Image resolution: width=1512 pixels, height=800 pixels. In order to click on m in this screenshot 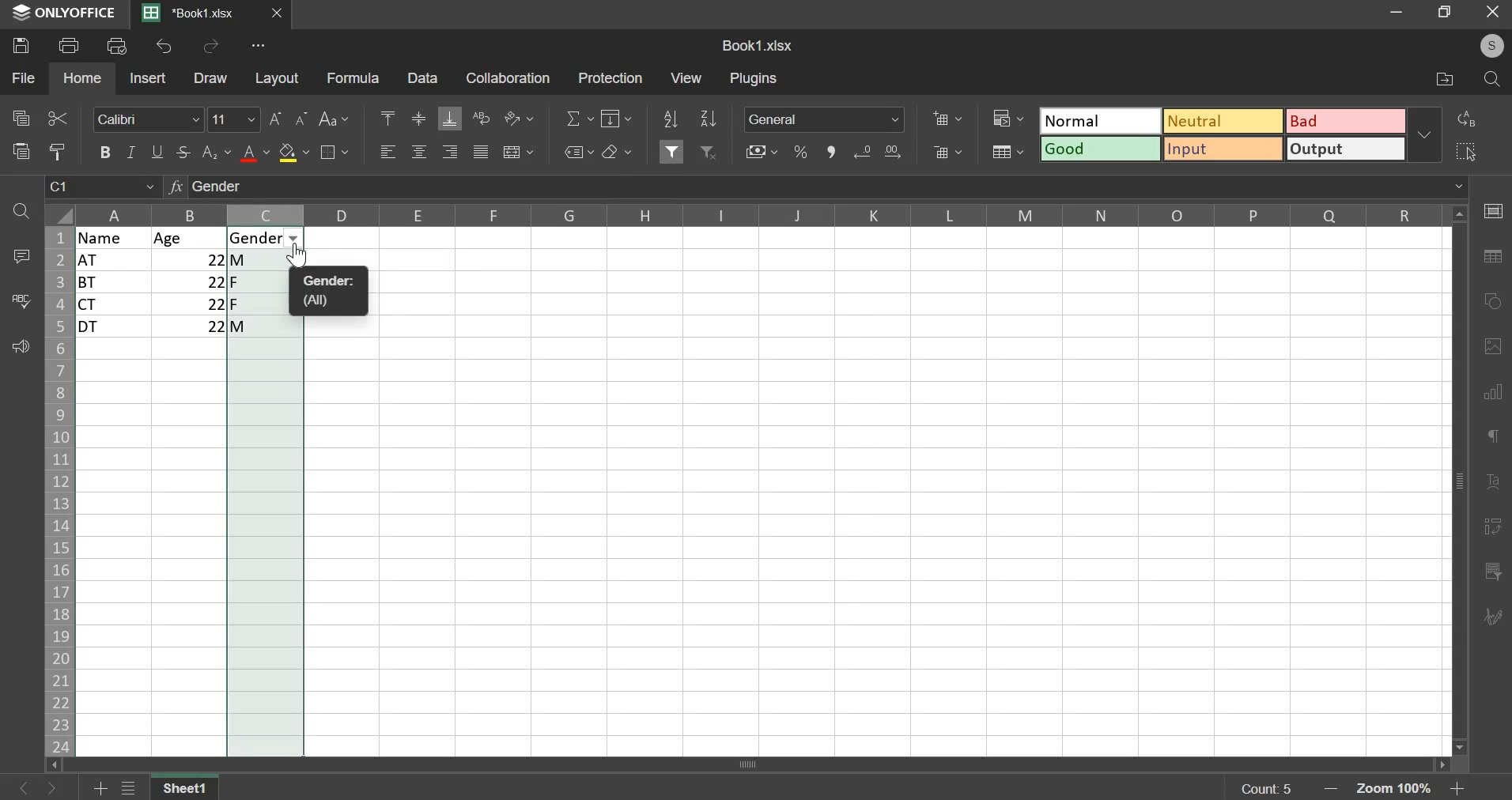, I will do `click(266, 329)`.